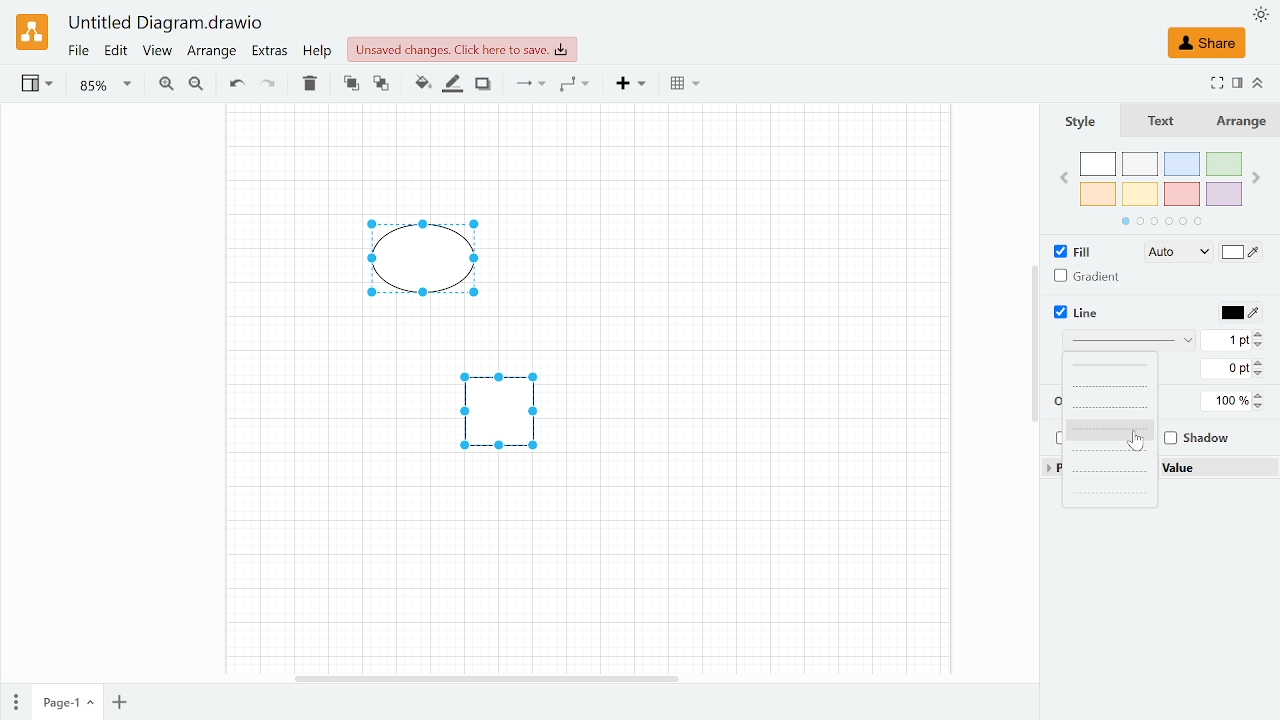 The width and height of the screenshot is (1280, 720). What do you see at coordinates (212, 54) in the screenshot?
I see `Arrange` at bounding box center [212, 54].